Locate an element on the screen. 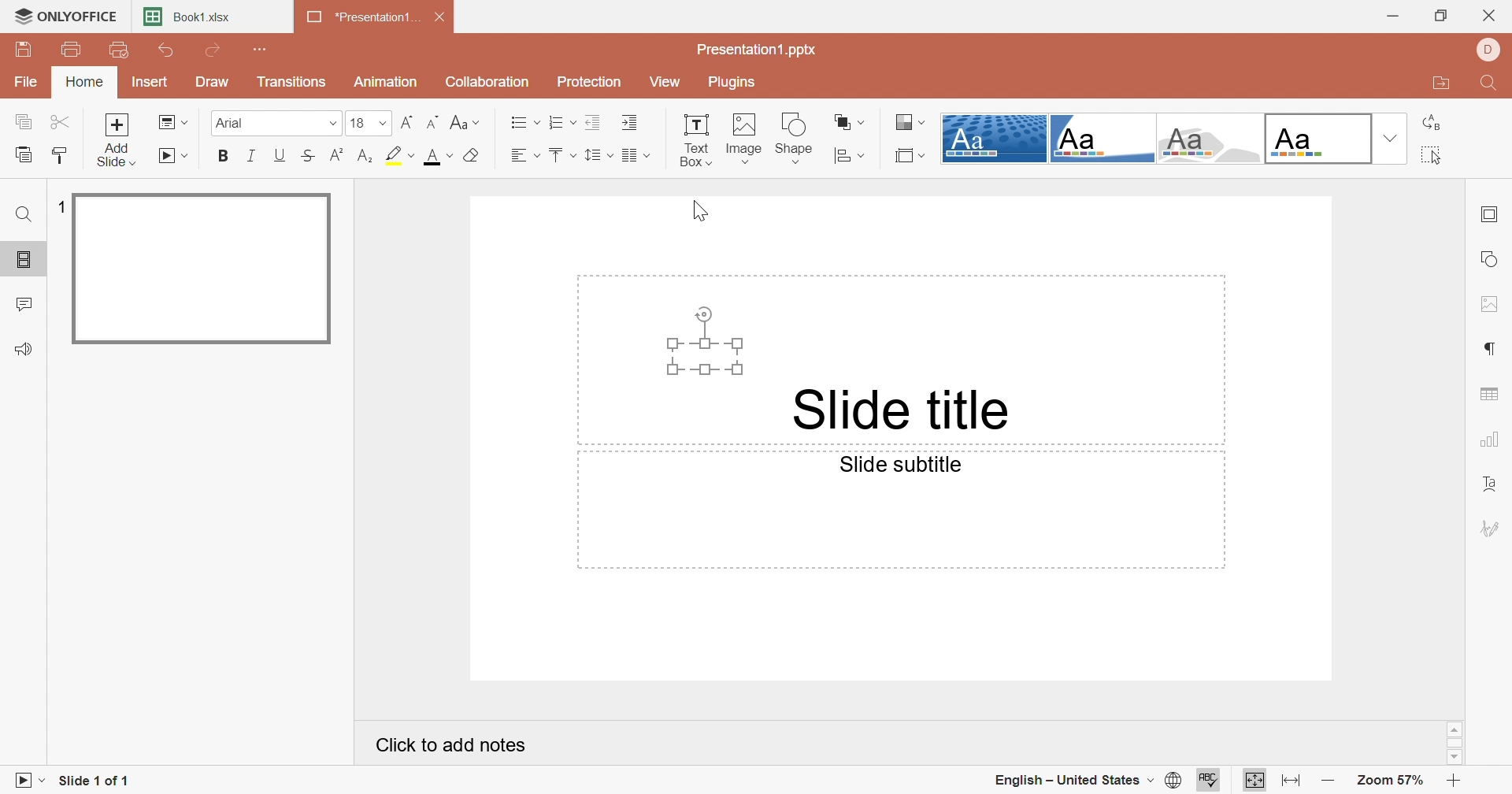 The image size is (1512, 794). Find is located at coordinates (1492, 83).